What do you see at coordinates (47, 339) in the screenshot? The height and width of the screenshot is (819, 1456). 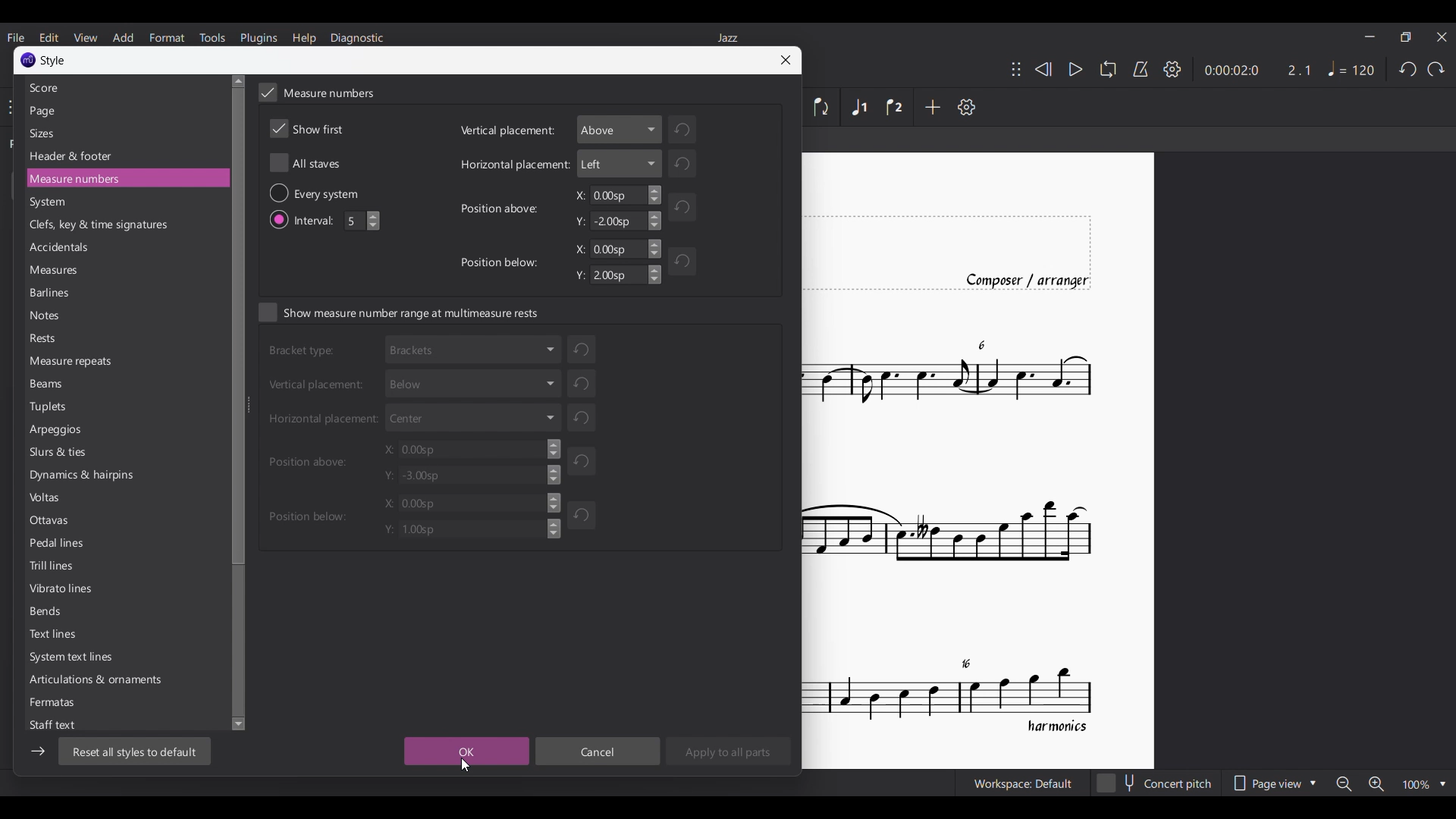 I see `Rets` at bounding box center [47, 339].